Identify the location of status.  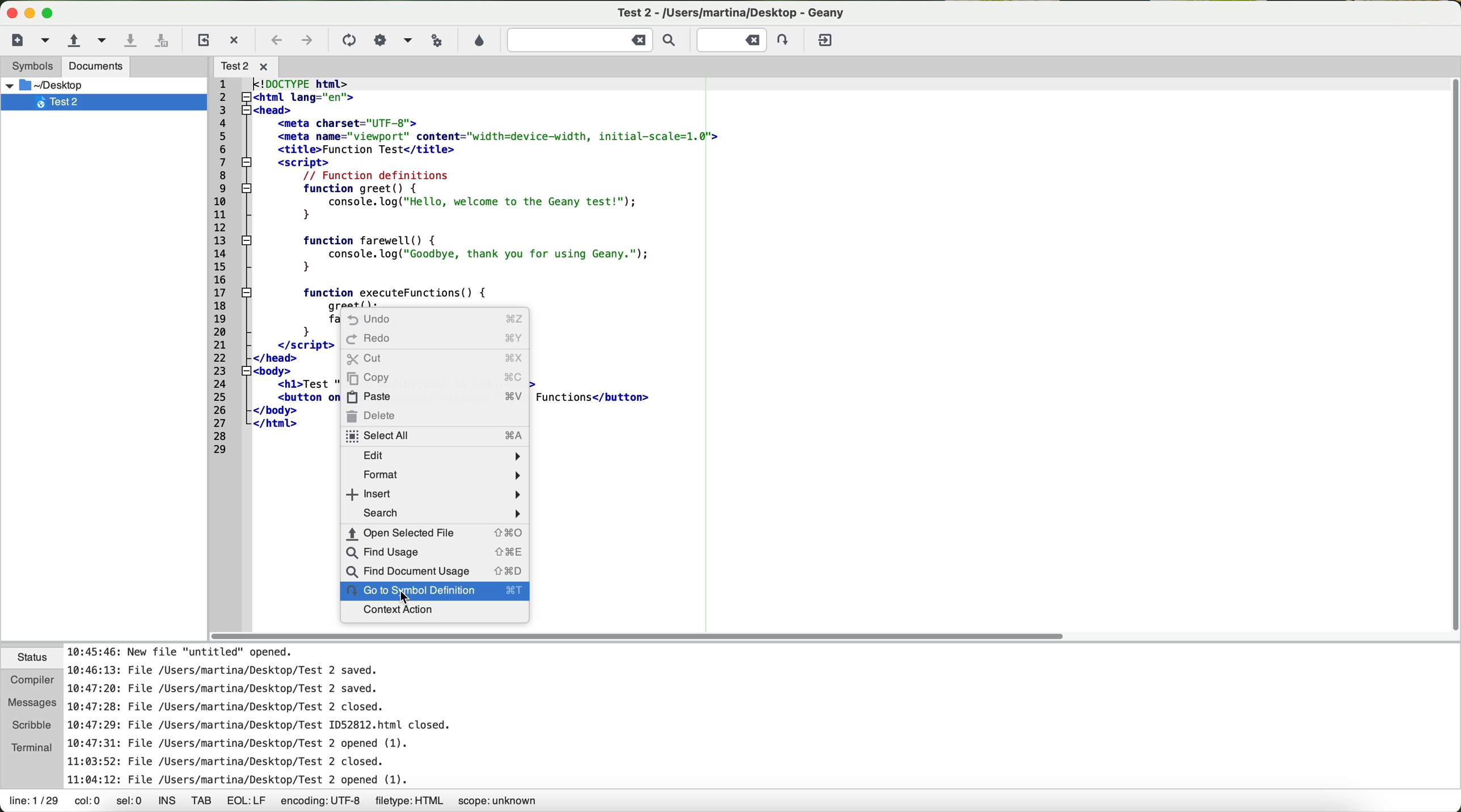
(31, 659).